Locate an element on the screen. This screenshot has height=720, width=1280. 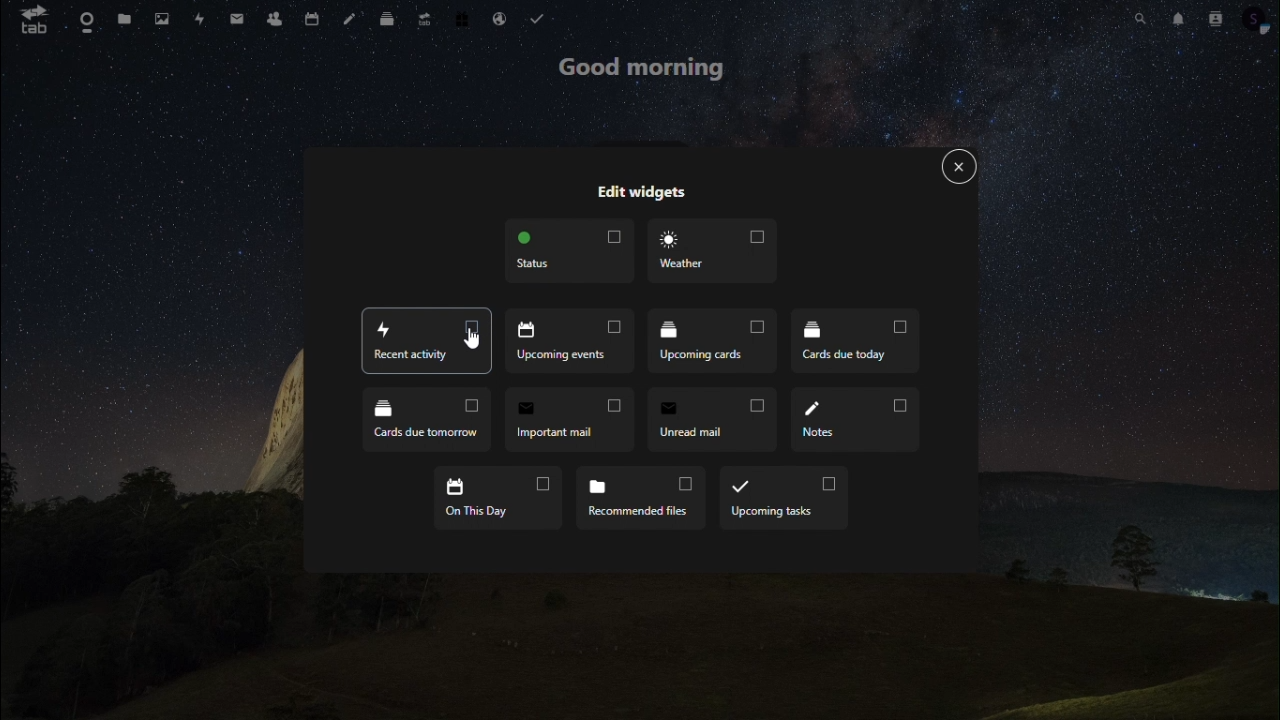
contacts is located at coordinates (276, 19).